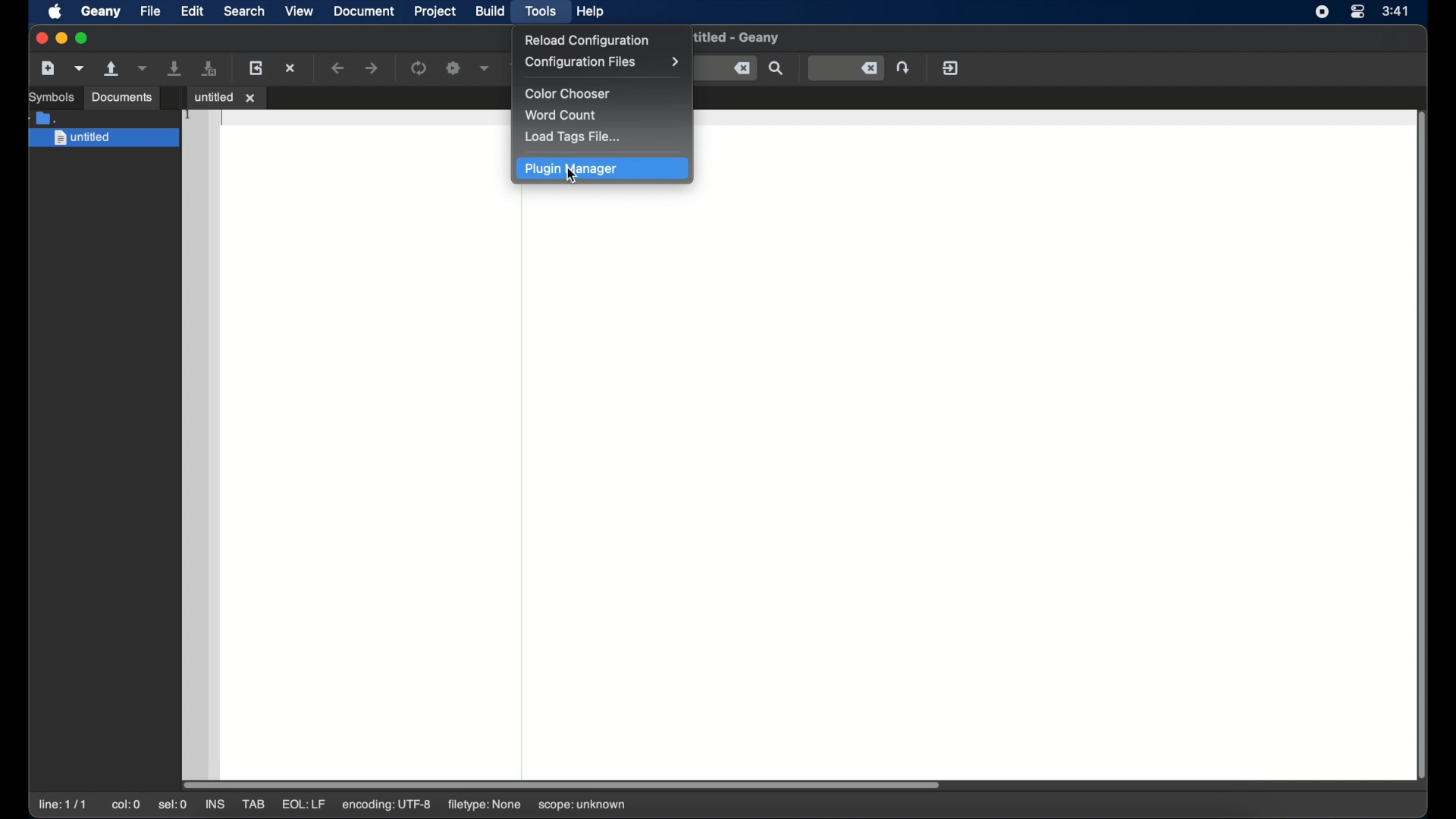 The height and width of the screenshot is (819, 1456). I want to click on save the current file, so click(176, 69).